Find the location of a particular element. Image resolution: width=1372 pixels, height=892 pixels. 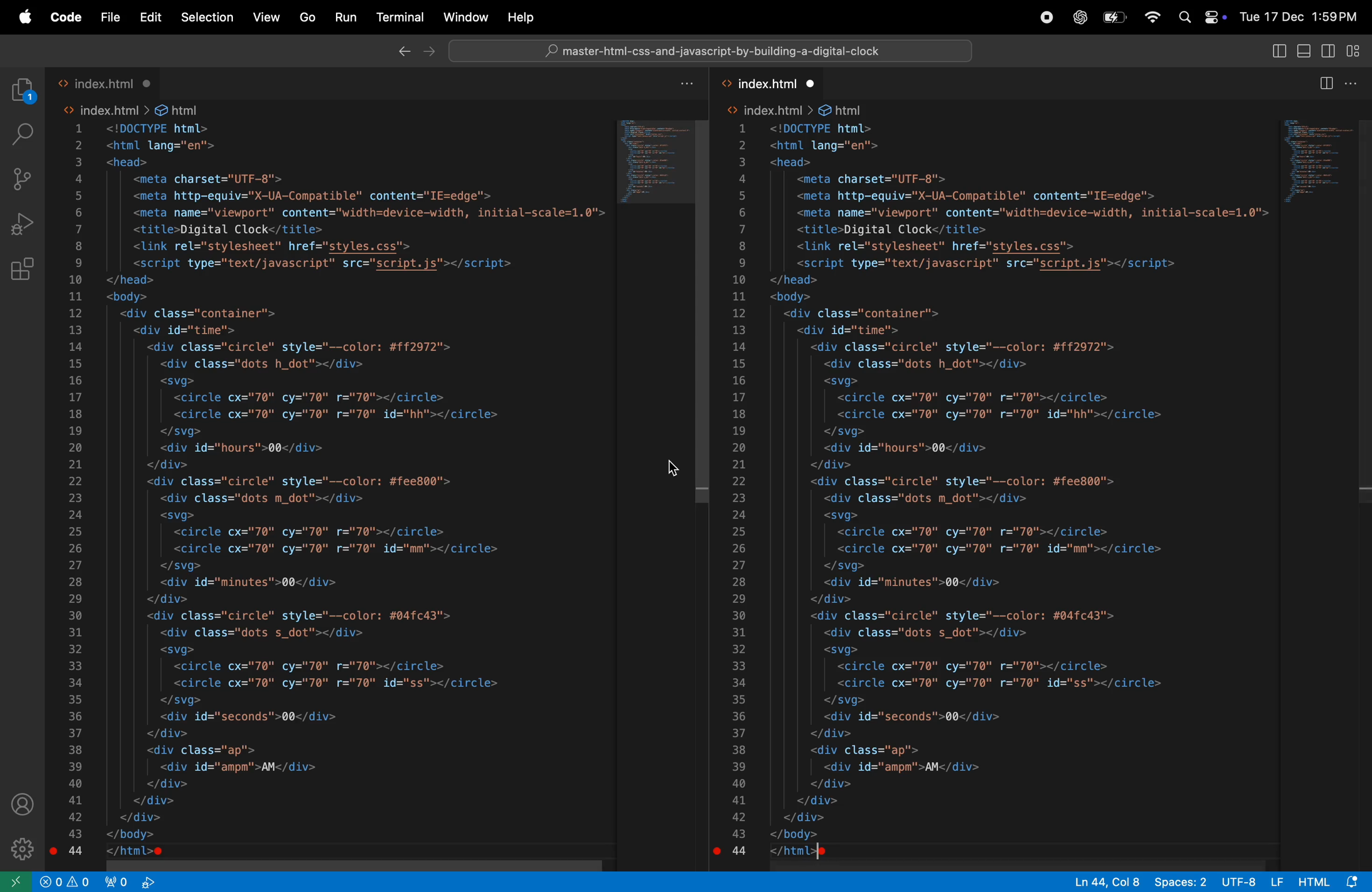

Search bar is located at coordinates (713, 51).